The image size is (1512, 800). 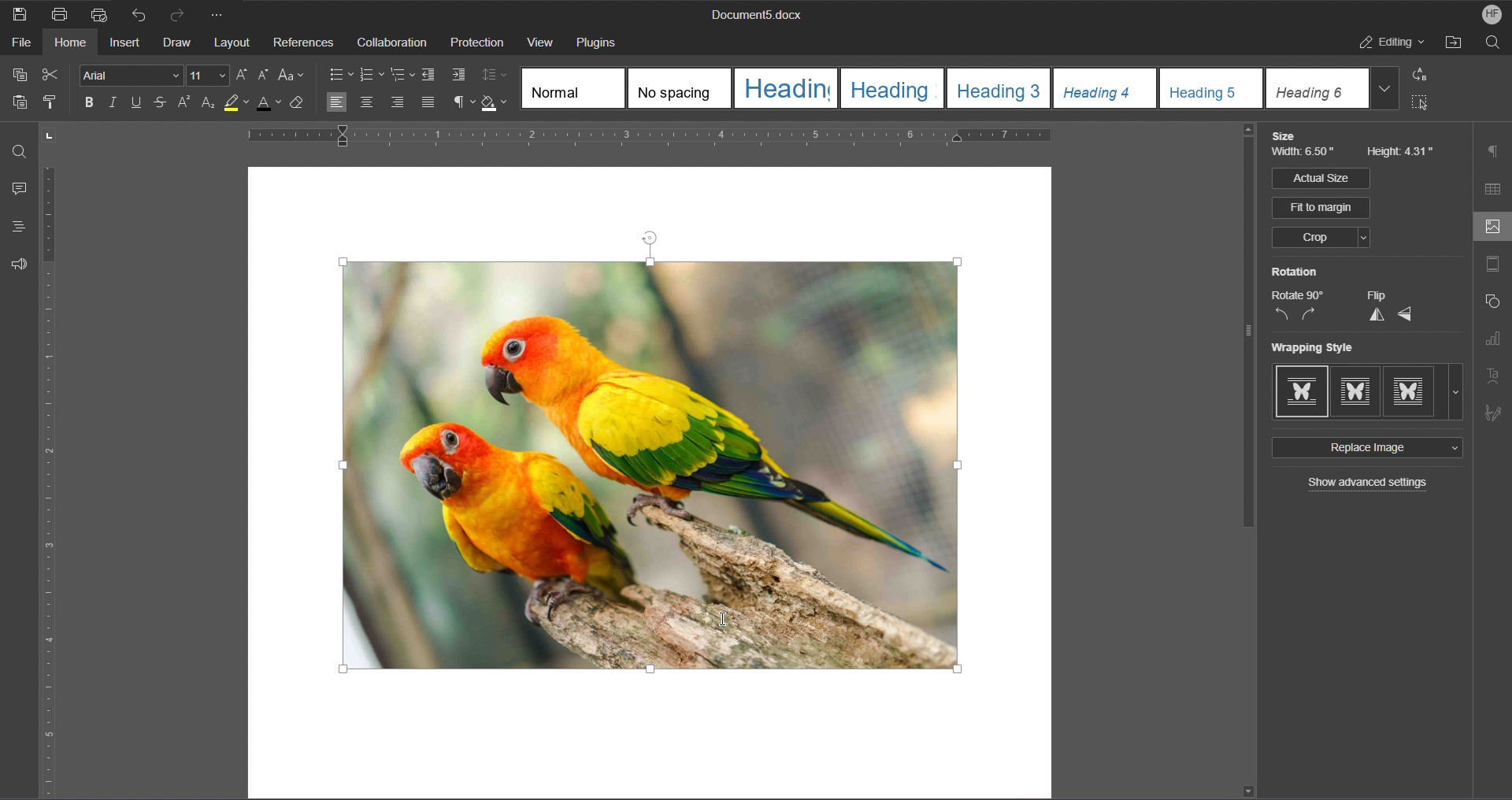 What do you see at coordinates (16, 190) in the screenshot?
I see `Comment` at bounding box center [16, 190].